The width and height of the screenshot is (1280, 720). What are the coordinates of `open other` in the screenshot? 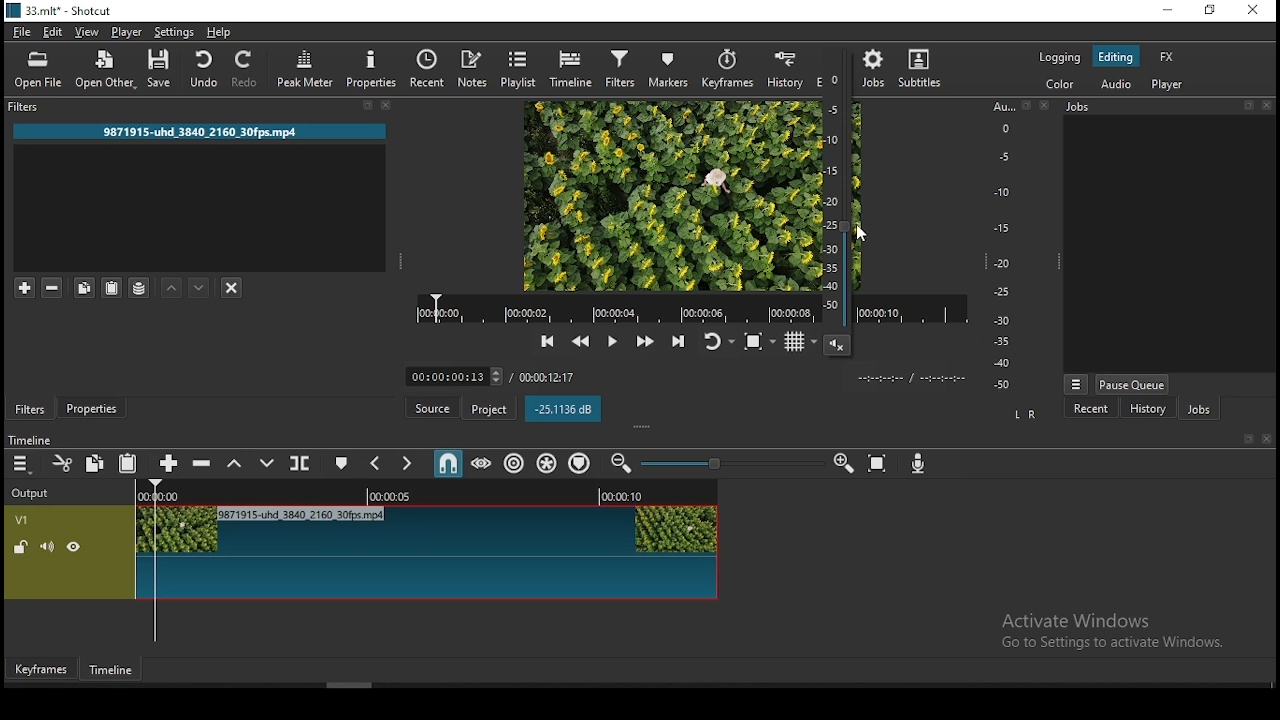 It's located at (107, 70).